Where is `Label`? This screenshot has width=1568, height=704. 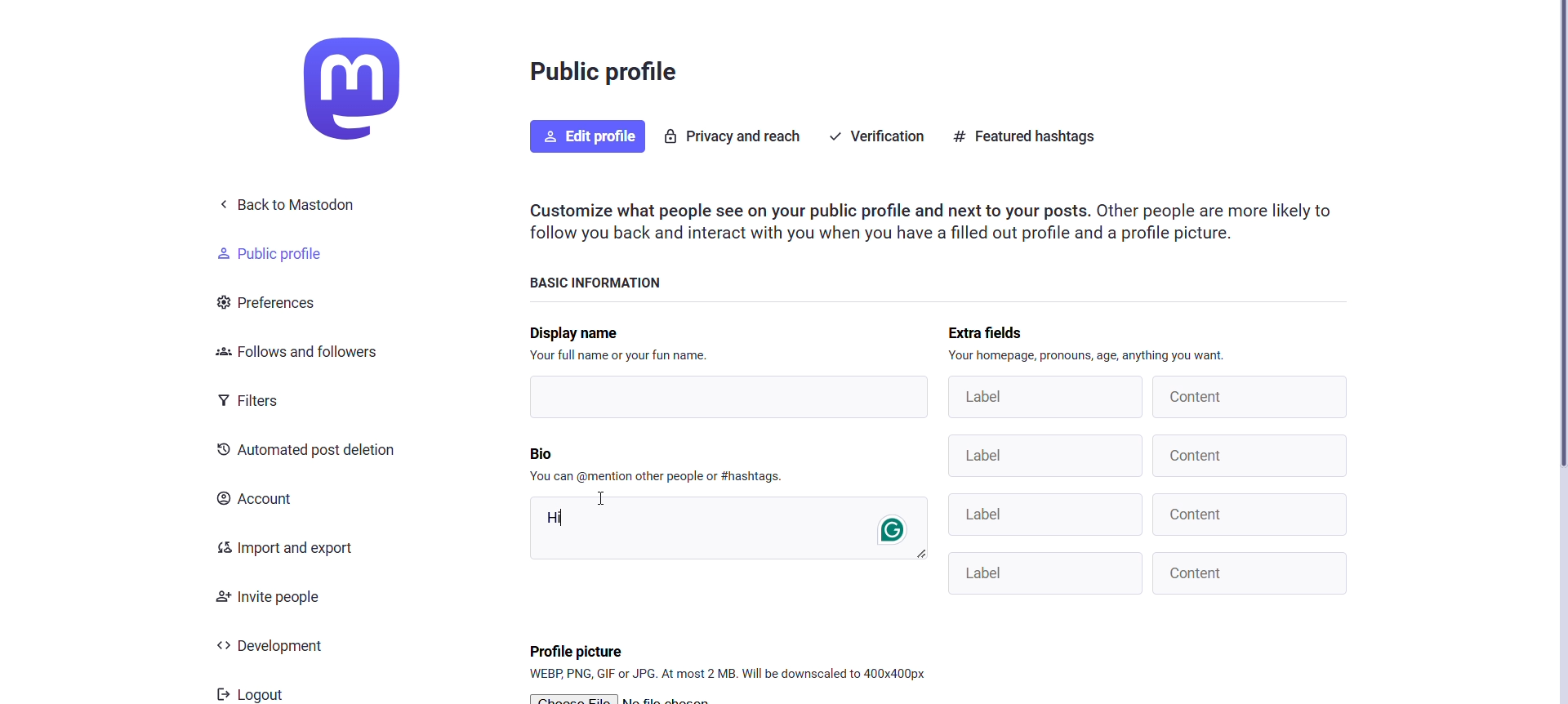
Label is located at coordinates (1045, 398).